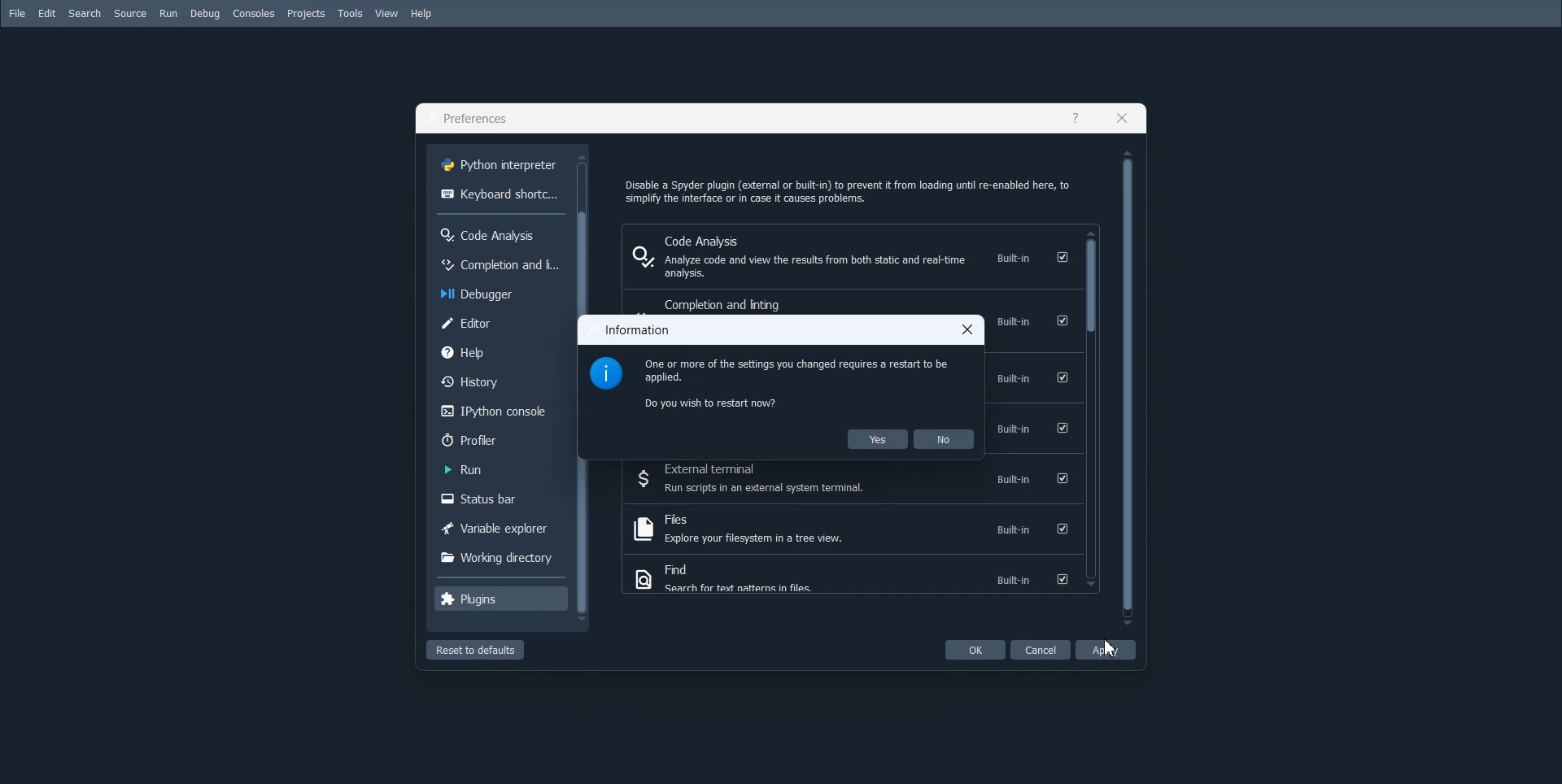 Image resolution: width=1562 pixels, height=784 pixels. Describe the element at coordinates (850, 482) in the screenshot. I see `External Terminal` at that location.